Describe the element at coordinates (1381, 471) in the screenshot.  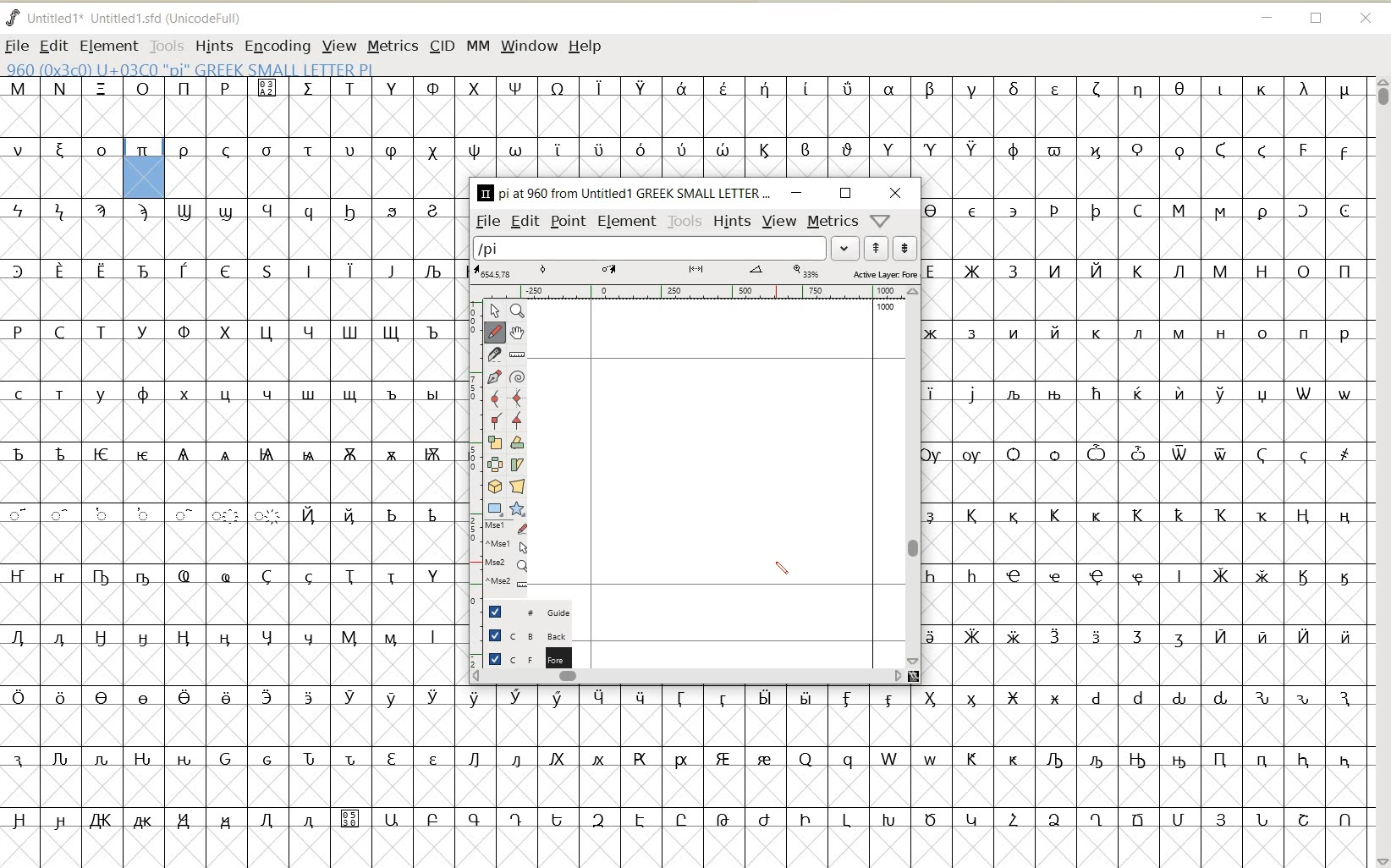
I see `SCROLLBAR` at that location.